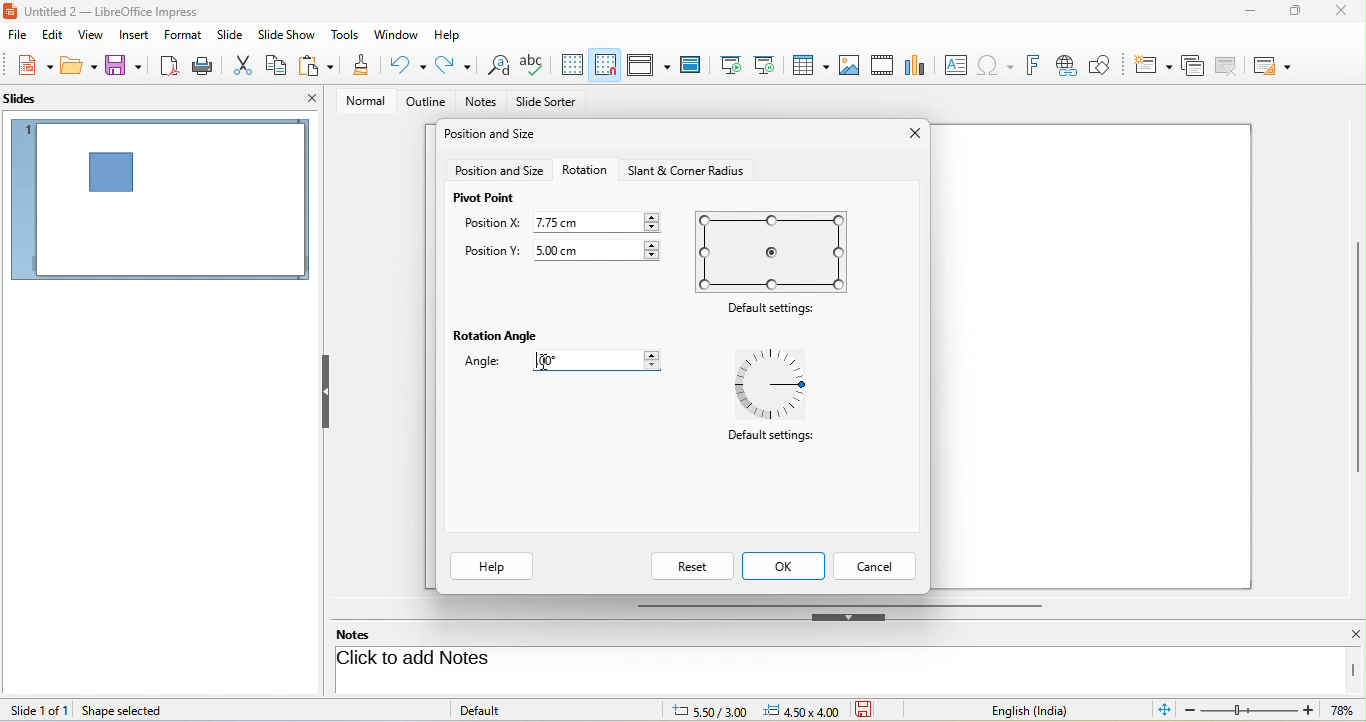 This screenshot has height=722, width=1366. Describe the element at coordinates (449, 33) in the screenshot. I see `help` at that location.